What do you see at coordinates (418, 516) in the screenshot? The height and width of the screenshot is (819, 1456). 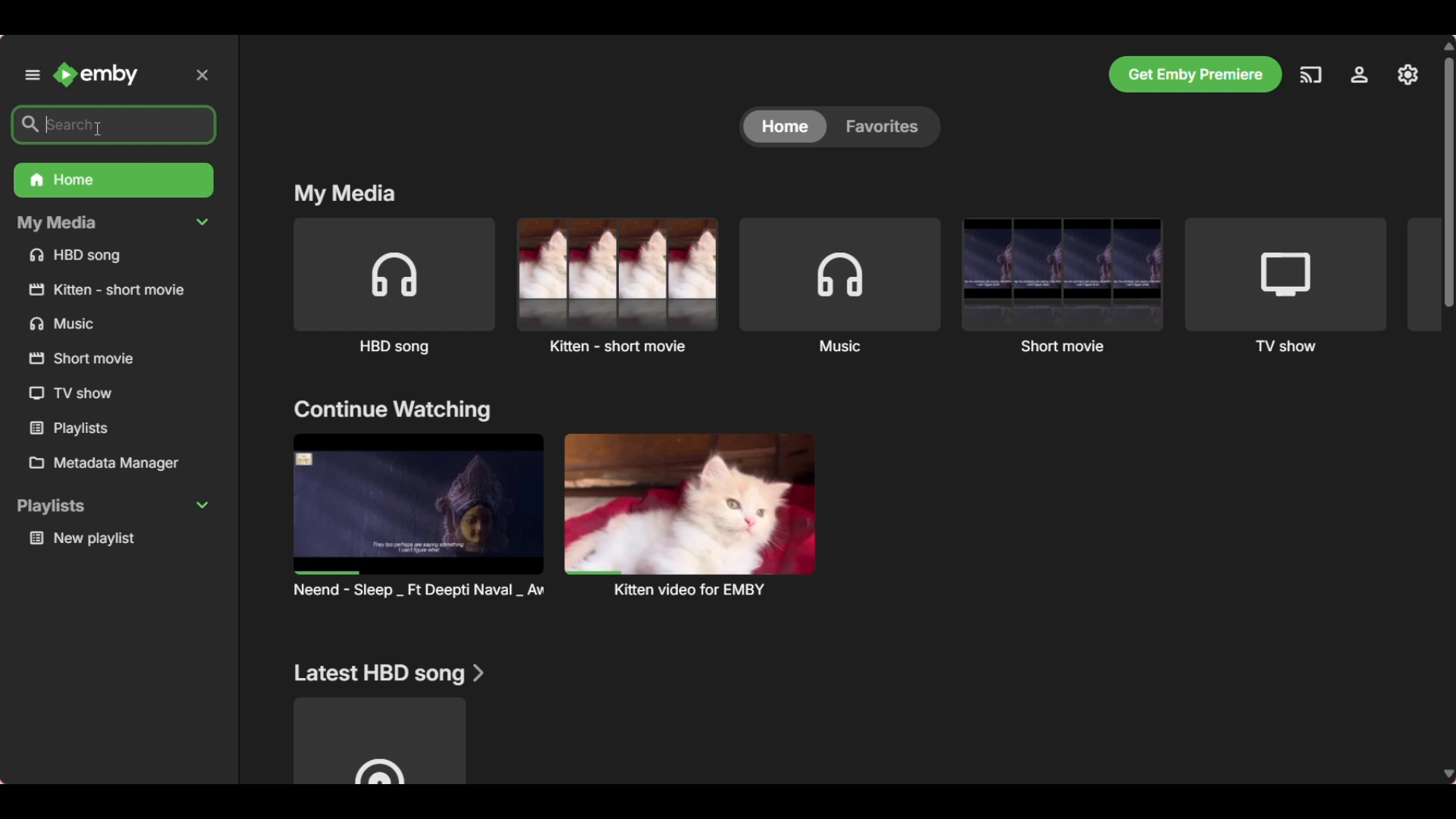 I see `Preview and title of media files under above mention section` at bounding box center [418, 516].